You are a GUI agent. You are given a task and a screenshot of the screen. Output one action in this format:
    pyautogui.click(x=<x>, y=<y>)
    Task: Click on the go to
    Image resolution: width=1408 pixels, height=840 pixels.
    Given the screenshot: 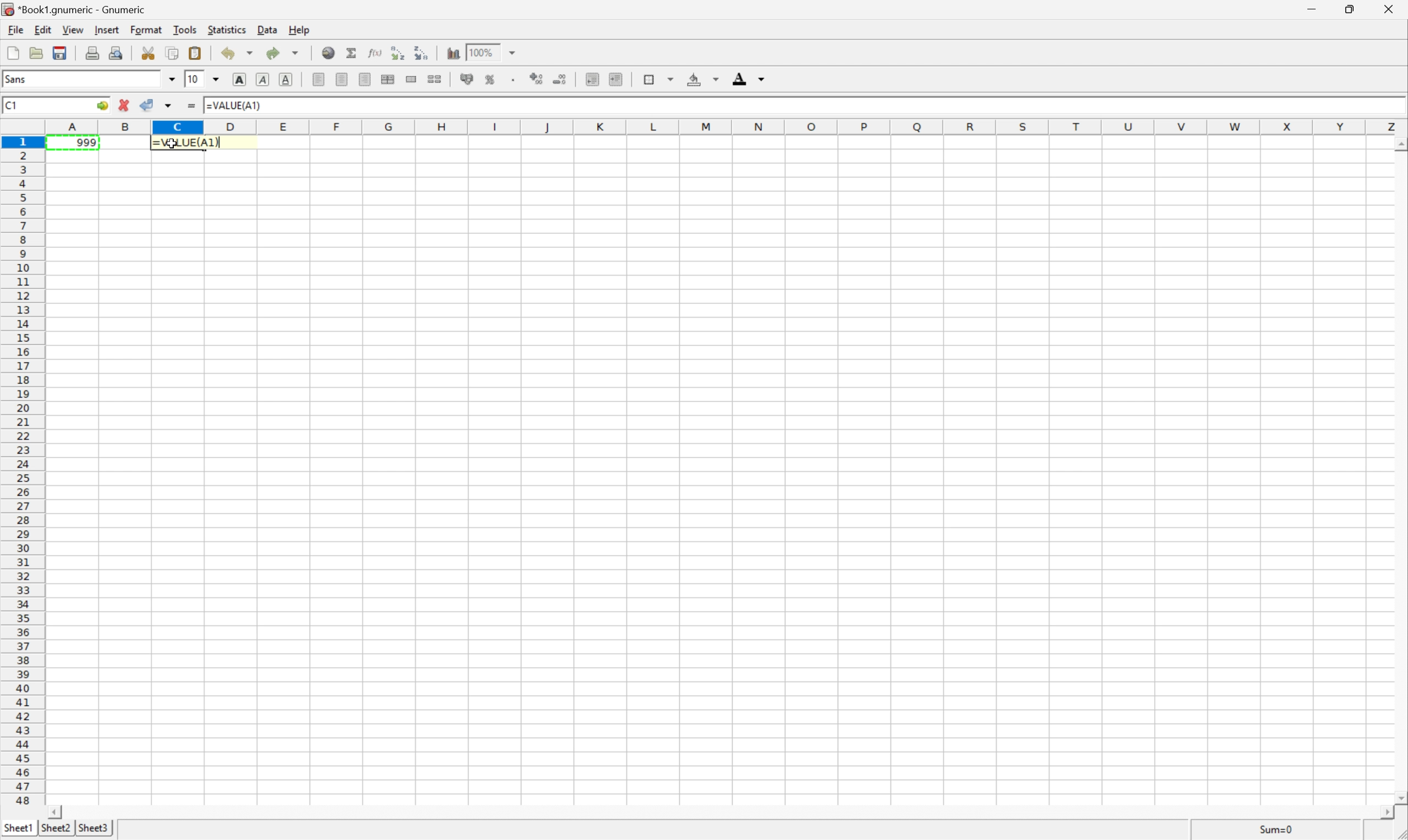 What is the action you would take?
    pyautogui.click(x=104, y=105)
    